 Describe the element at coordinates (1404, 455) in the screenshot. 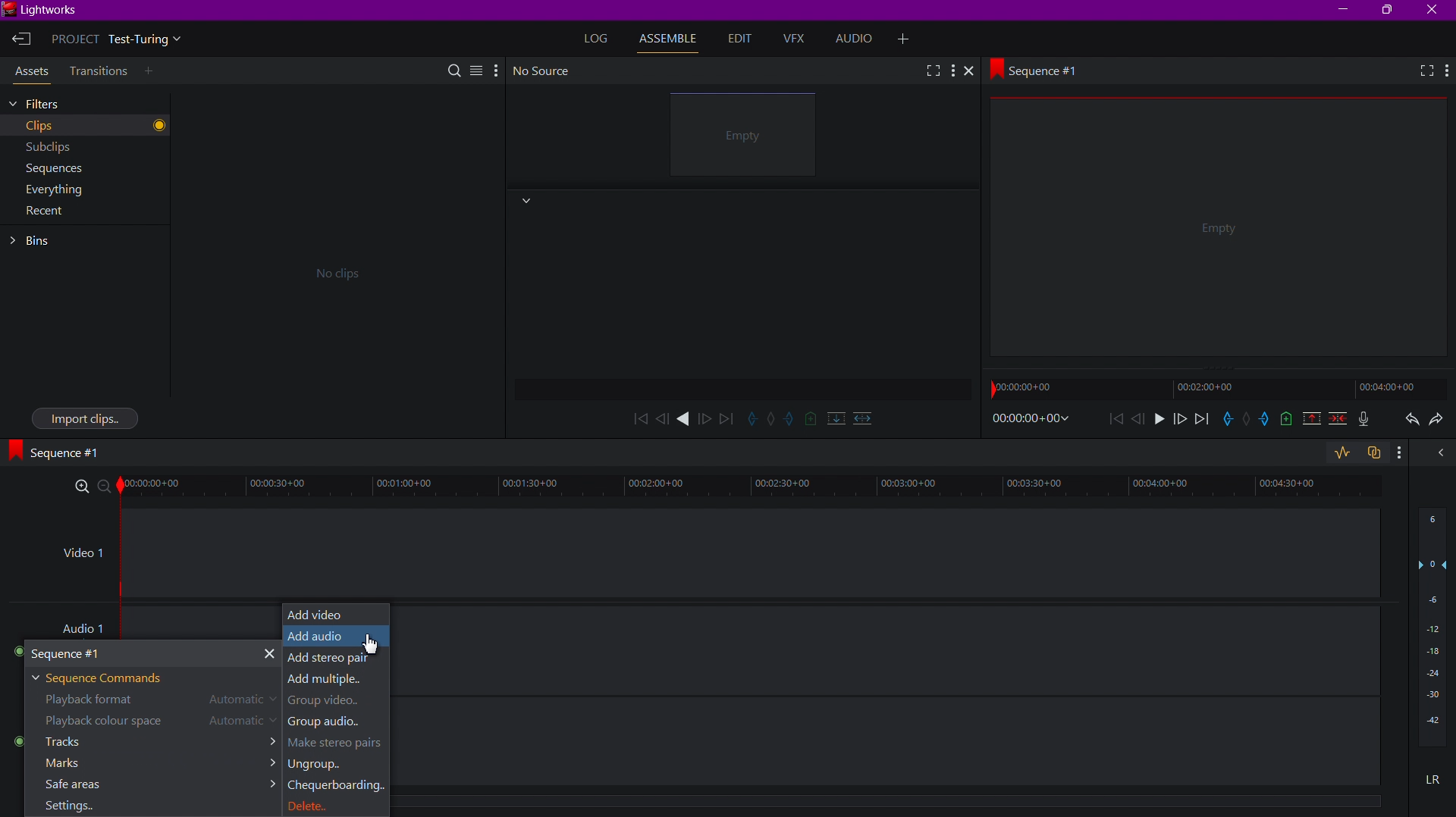

I see `More` at that location.